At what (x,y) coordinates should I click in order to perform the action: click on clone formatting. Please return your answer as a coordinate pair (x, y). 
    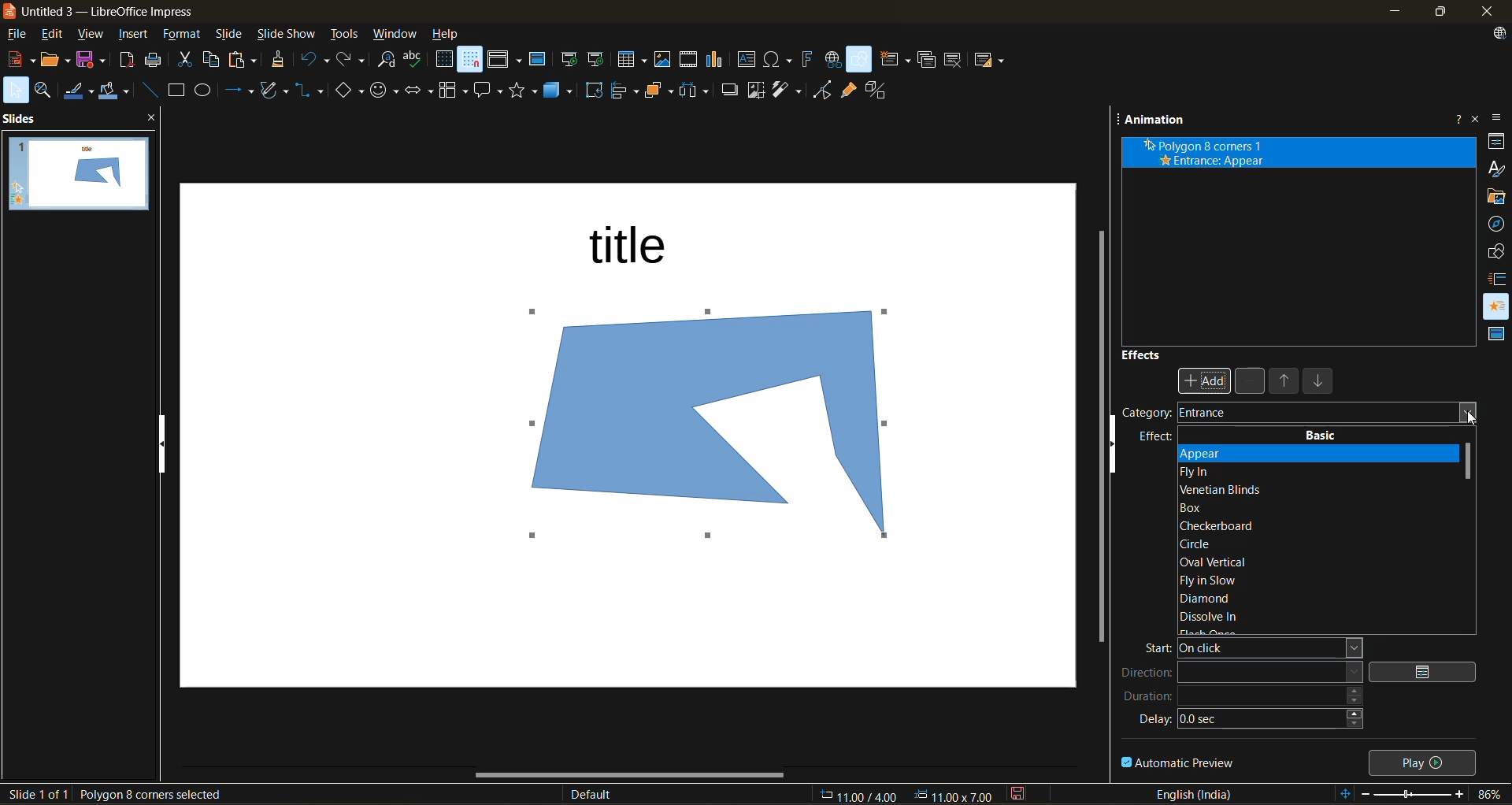
    Looking at the image, I should click on (279, 61).